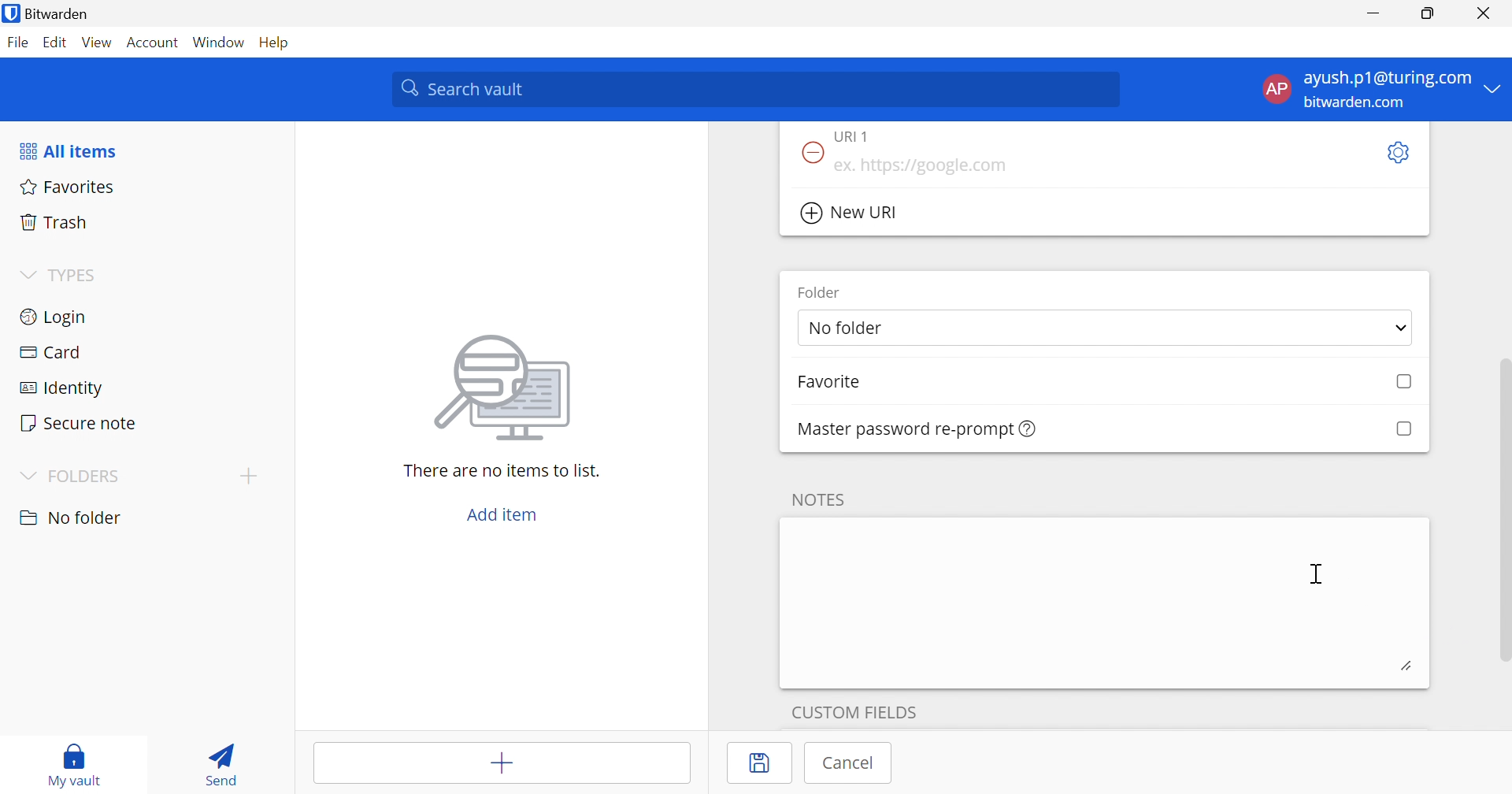 This screenshot has height=794, width=1512. I want to click on Account, so click(154, 46).